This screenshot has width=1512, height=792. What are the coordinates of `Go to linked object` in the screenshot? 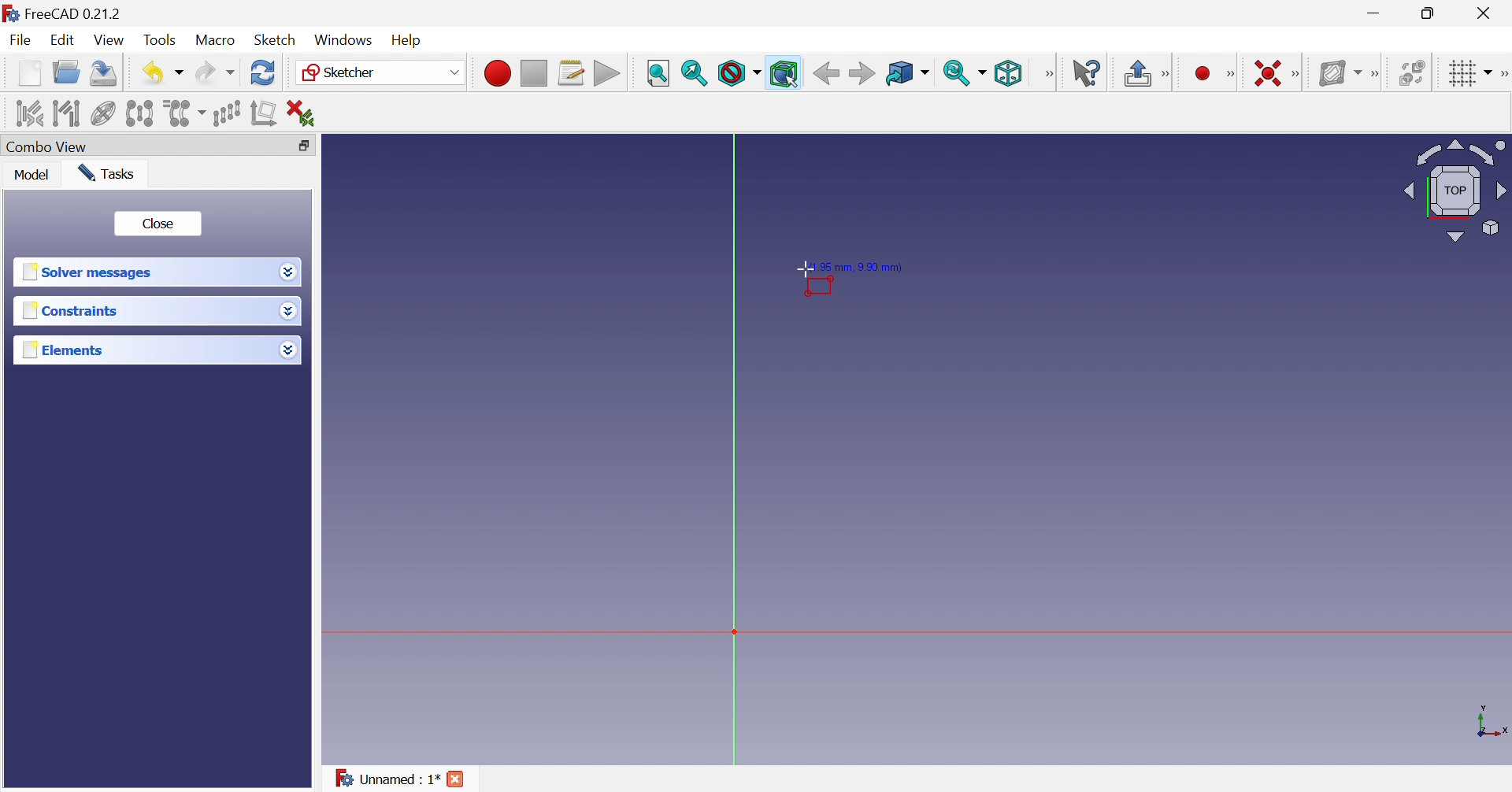 It's located at (906, 74).